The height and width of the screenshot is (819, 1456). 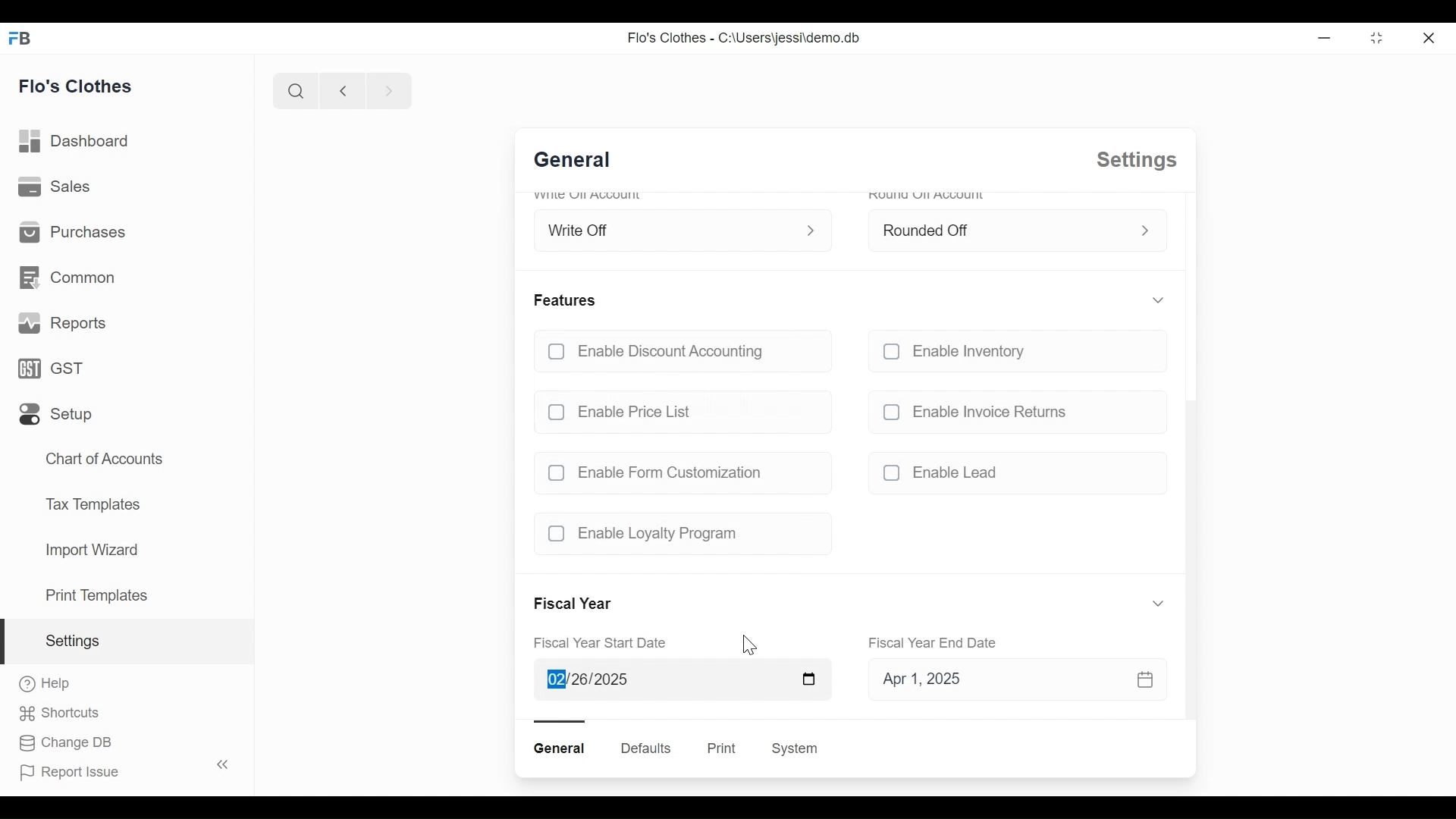 What do you see at coordinates (935, 642) in the screenshot?
I see `Fiscal Year End Date` at bounding box center [935, 642].